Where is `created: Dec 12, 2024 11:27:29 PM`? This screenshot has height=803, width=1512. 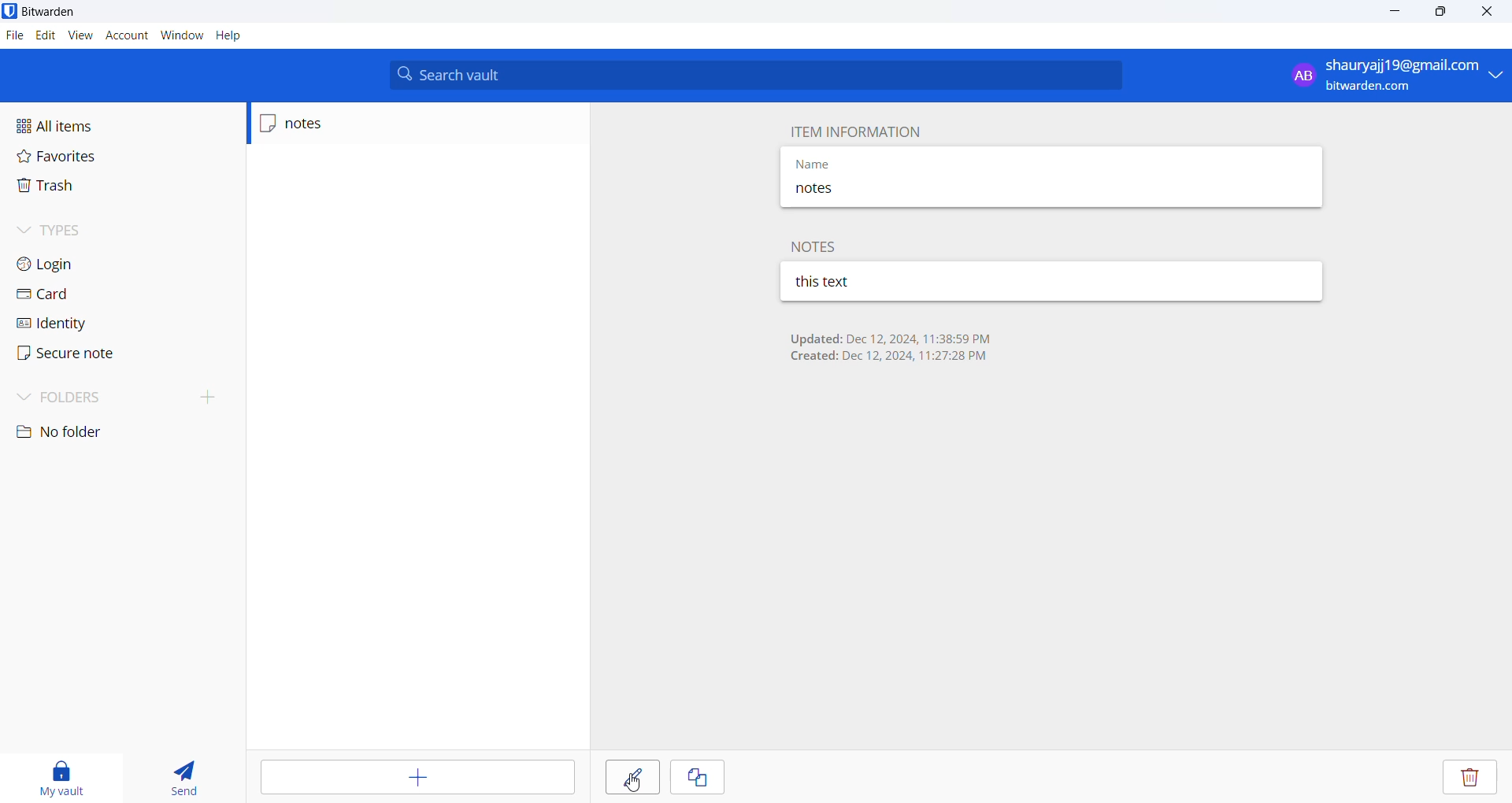 created: Dec 12, 2024 11:27:29 PM is located at coordinates (889, 358).